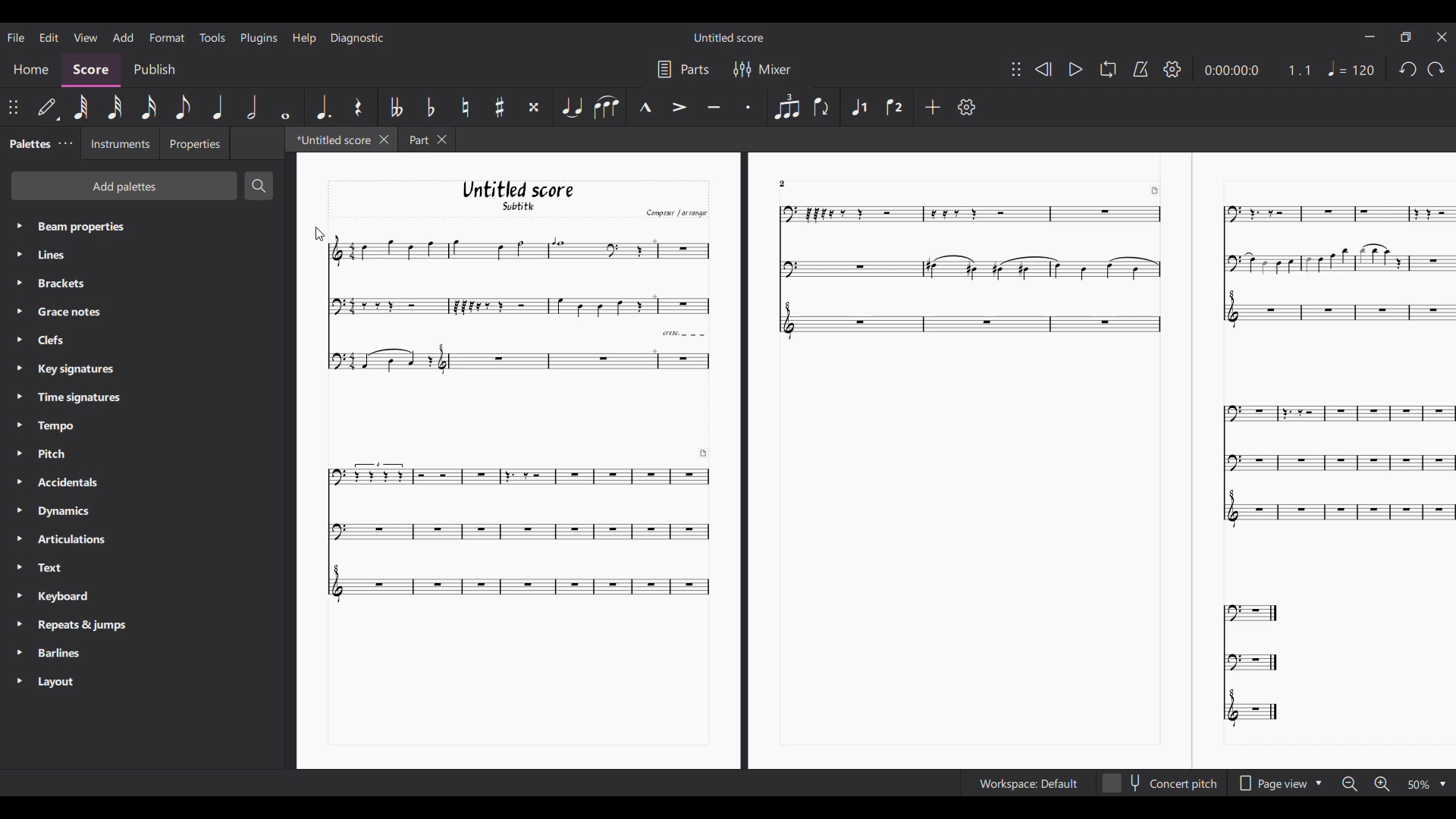 This screenshot has height=819, width=1456. I want to click on Toggle sharp, so click(500, 107).